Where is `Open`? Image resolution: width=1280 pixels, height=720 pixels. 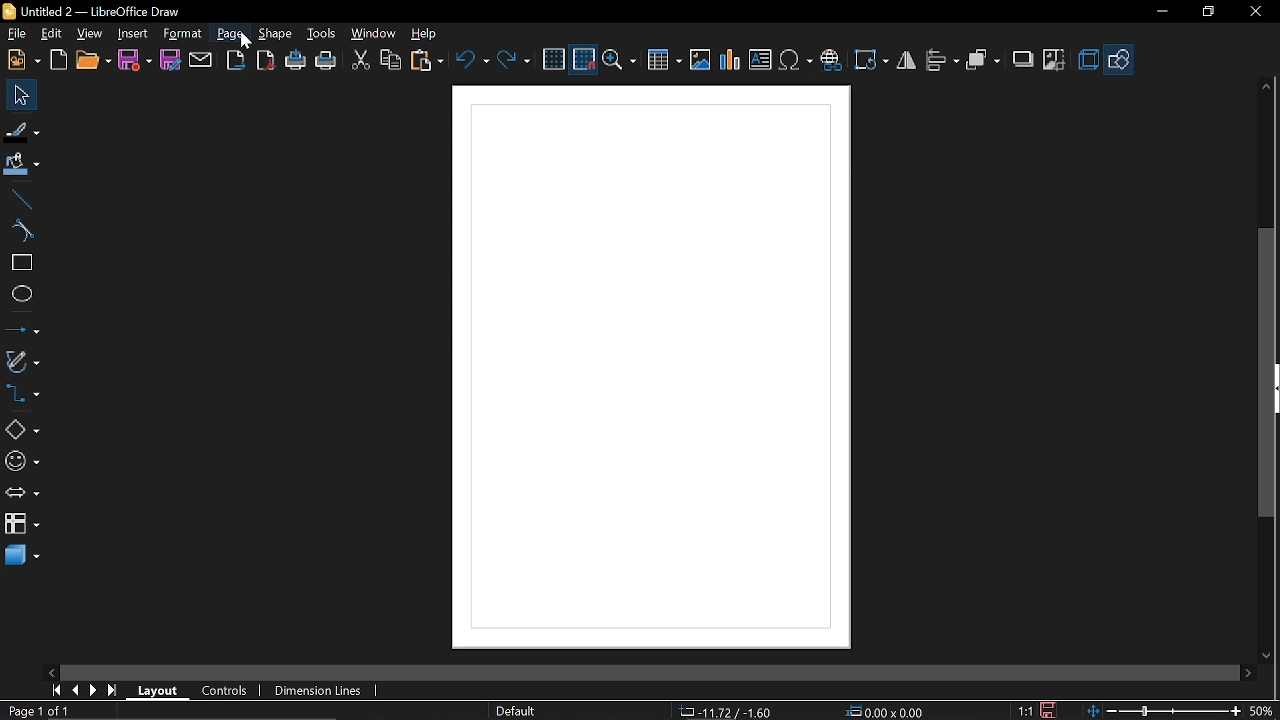 Open is located at coordinates (92, 61).